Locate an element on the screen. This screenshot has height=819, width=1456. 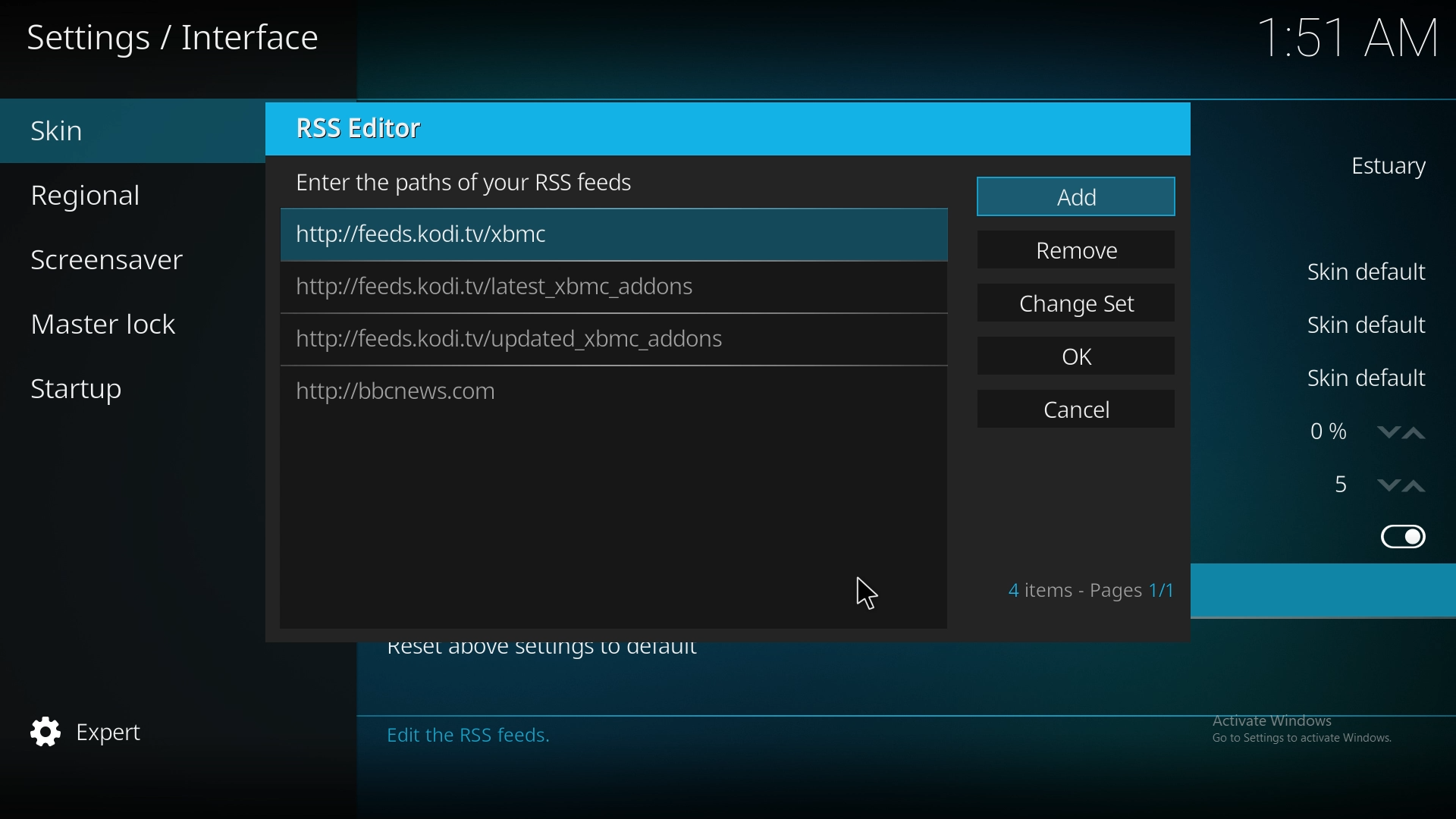
path is located at coordinates (461, 236).